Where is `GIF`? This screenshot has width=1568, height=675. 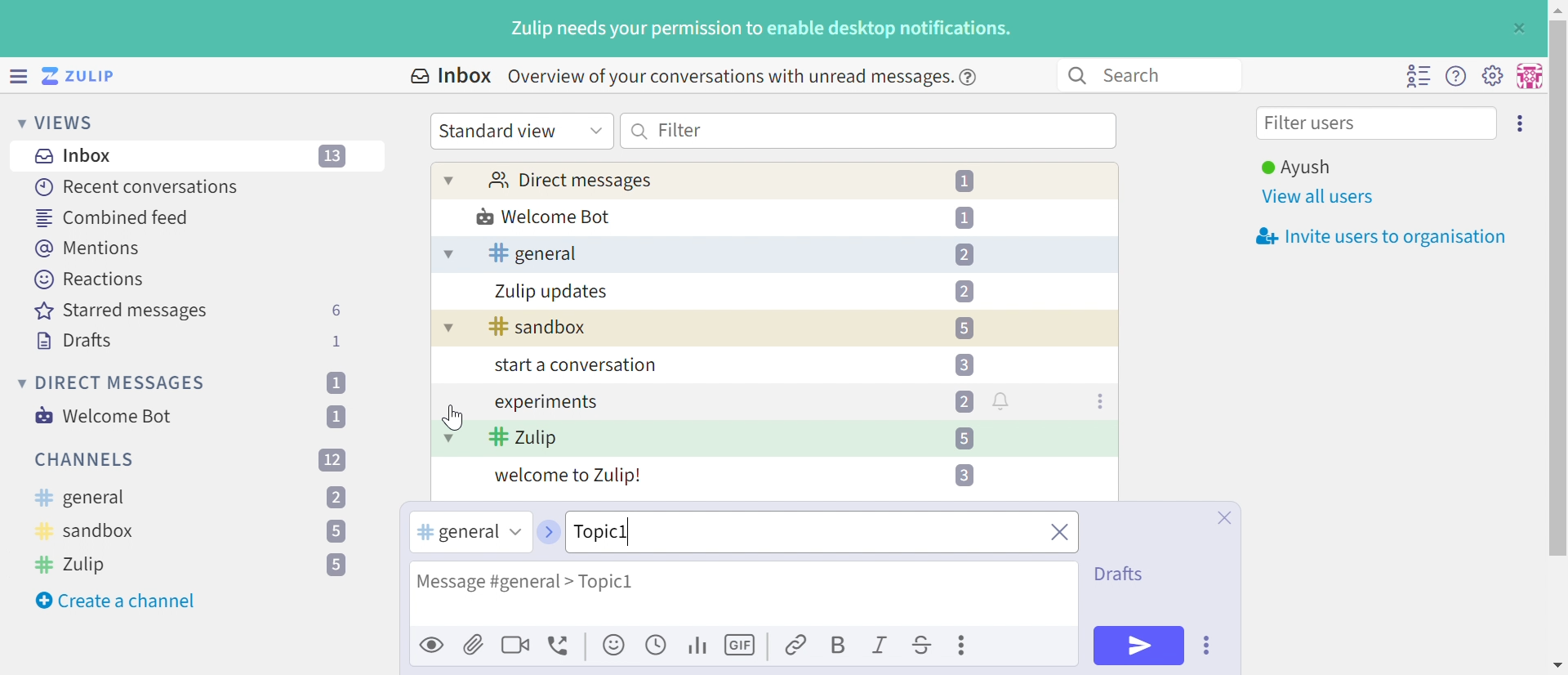
GIF is located at coordinates (742, 646).